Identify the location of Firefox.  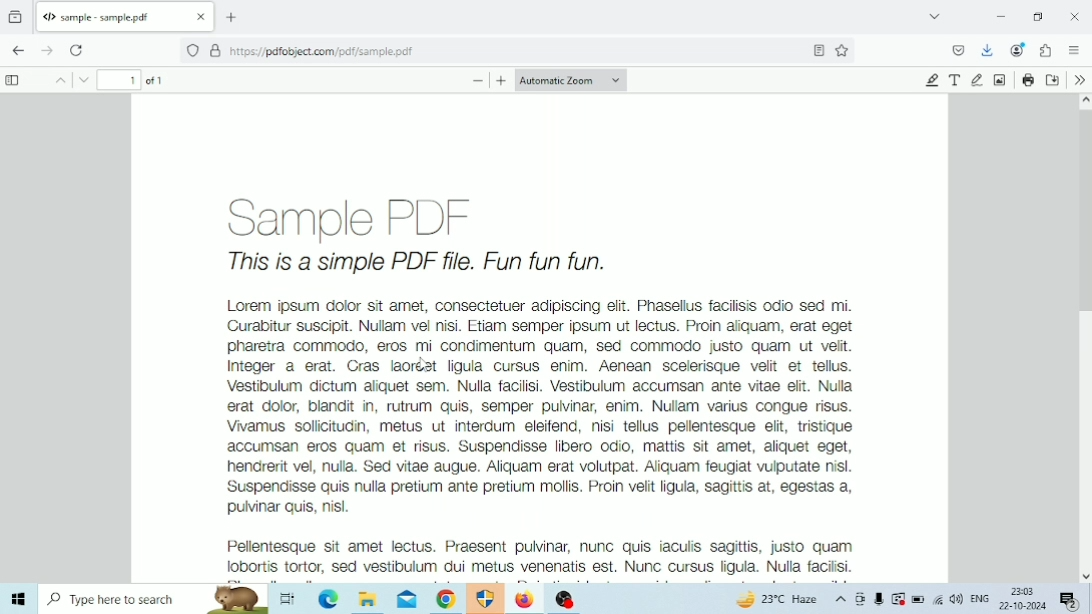
(524, 599).